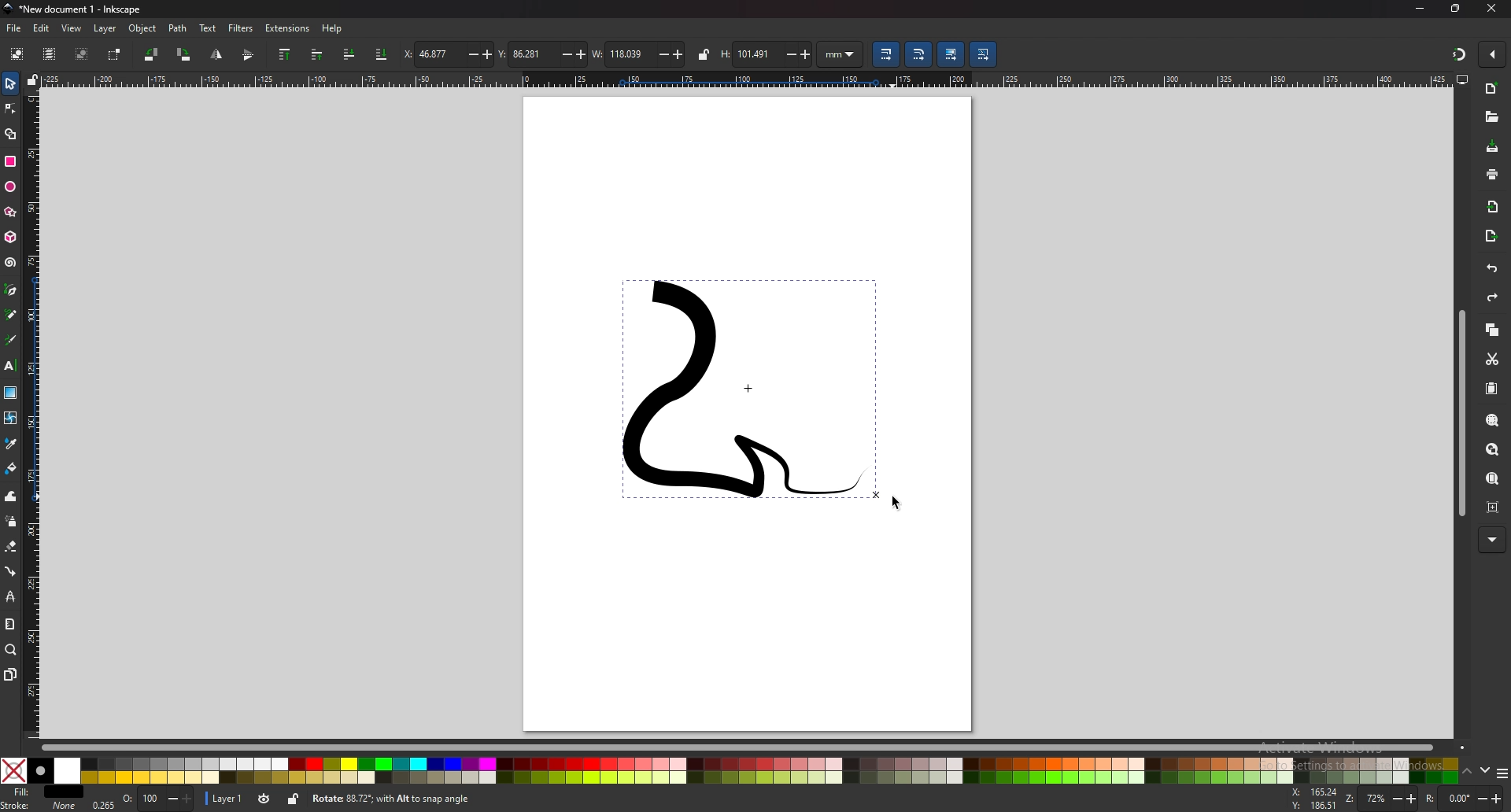 This screenshot has width=1511, height=812. What do you see at coordinates (142, 799) in the screenshot?
I see `opacity` at bounding box center [142, 799].